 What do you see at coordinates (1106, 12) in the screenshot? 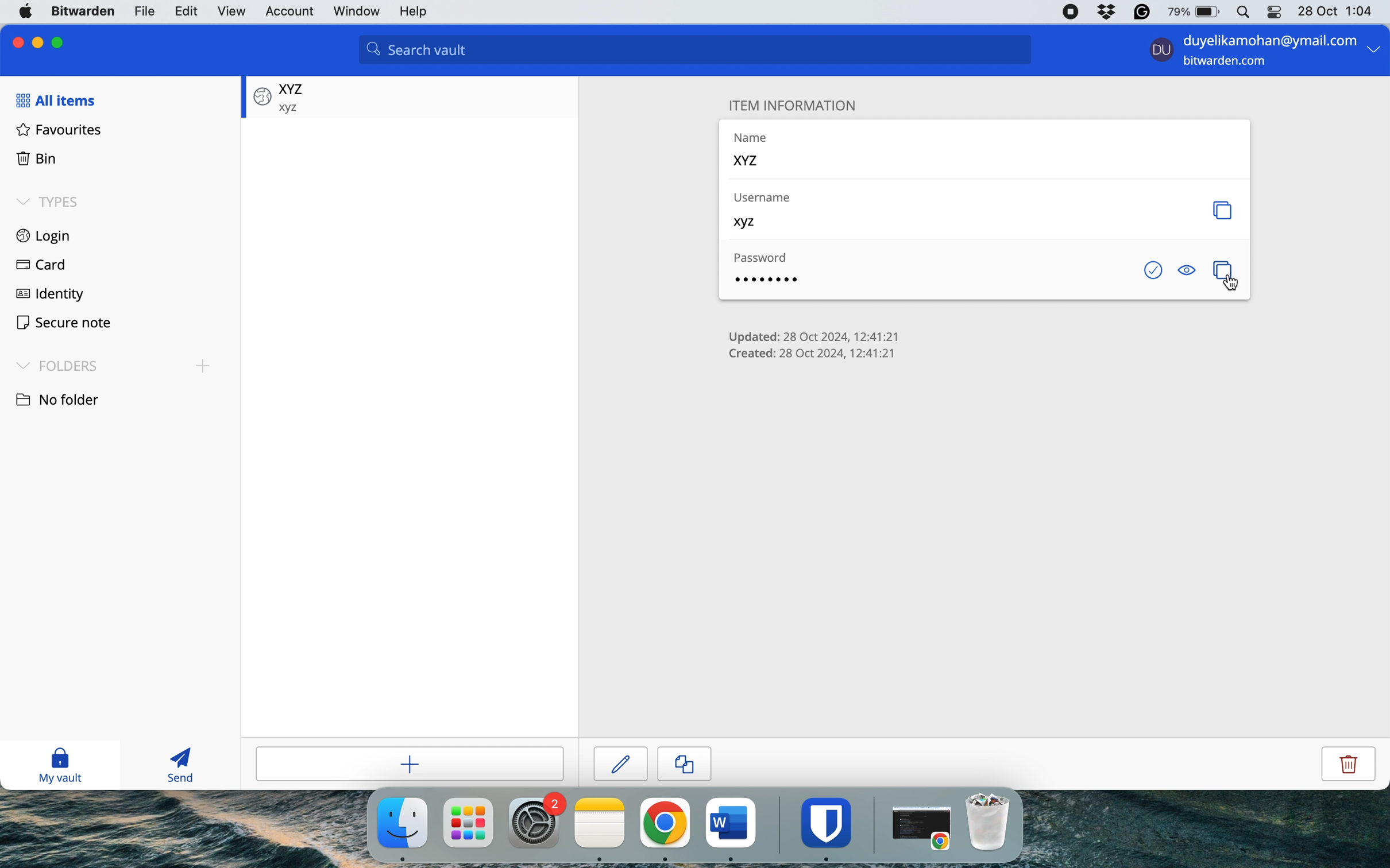
I see `dropbox` at bounding box center [1106, 12].